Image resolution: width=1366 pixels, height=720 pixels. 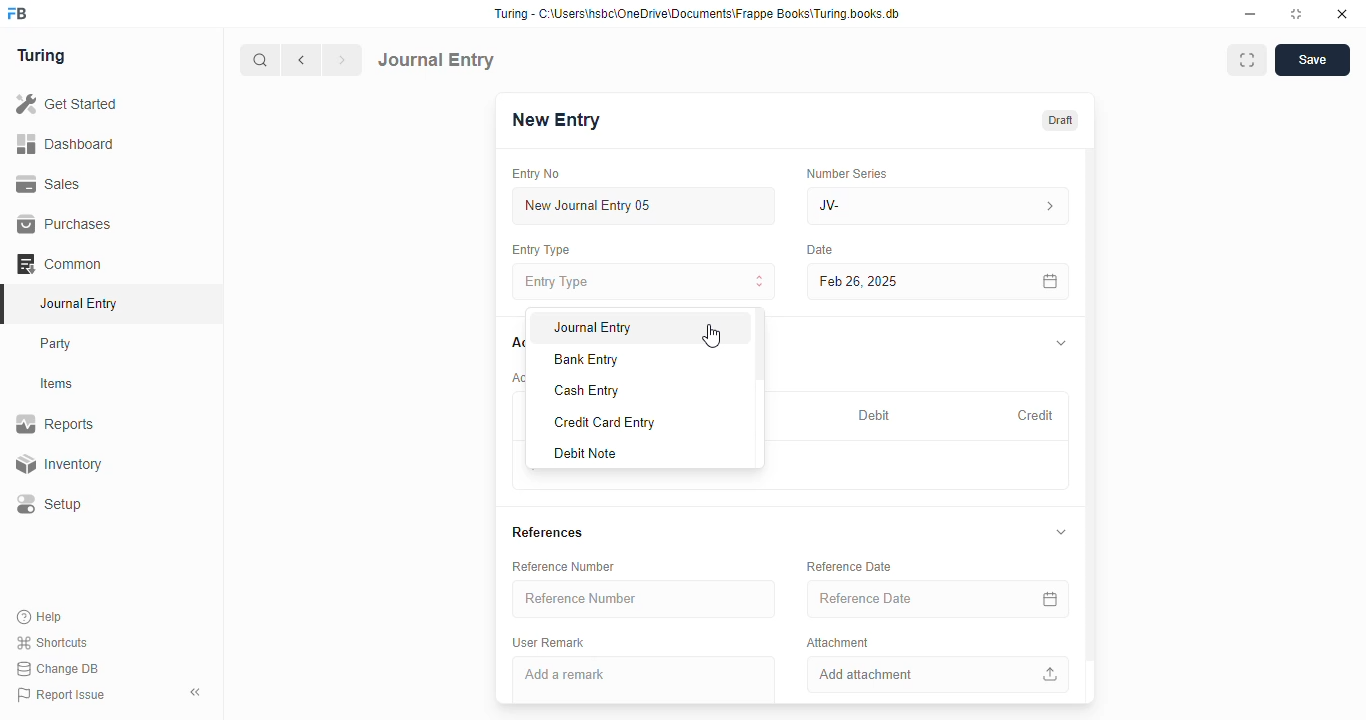 I want to click on add a remark, so click(x=644, y=680).